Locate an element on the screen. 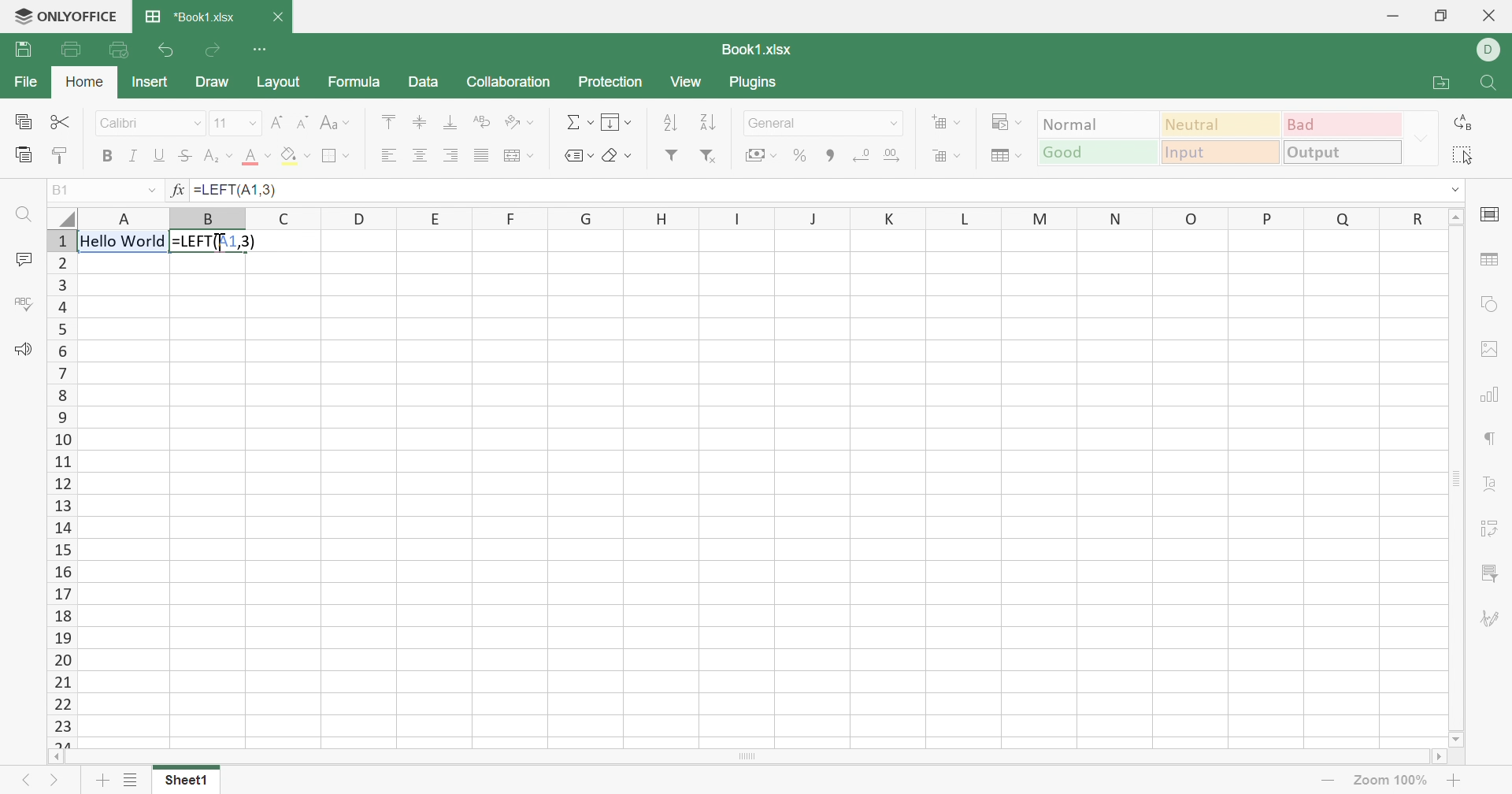  Home is located at coordinates (84, 81).